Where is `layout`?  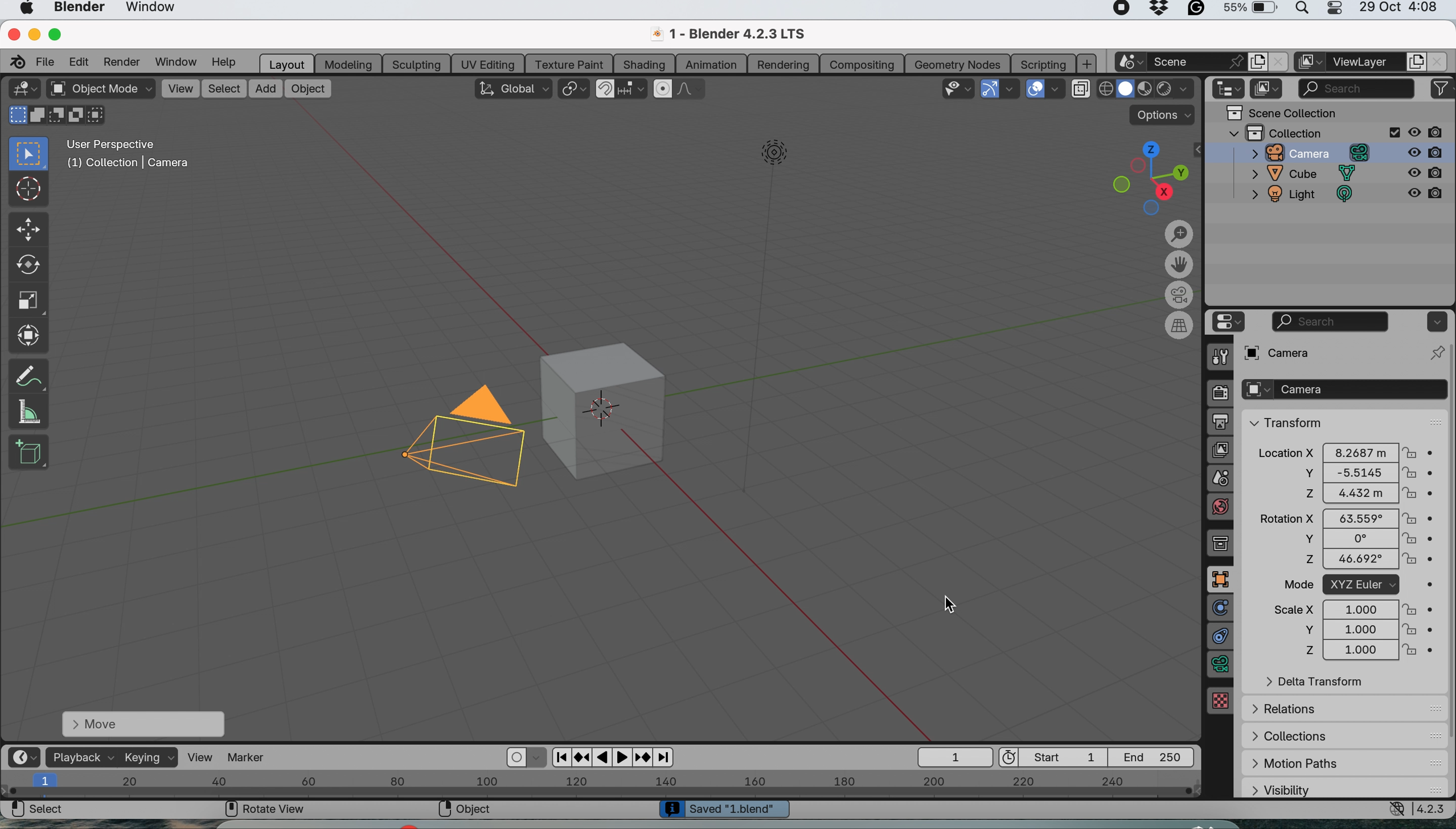 layout is located at coordinates (287, 63).